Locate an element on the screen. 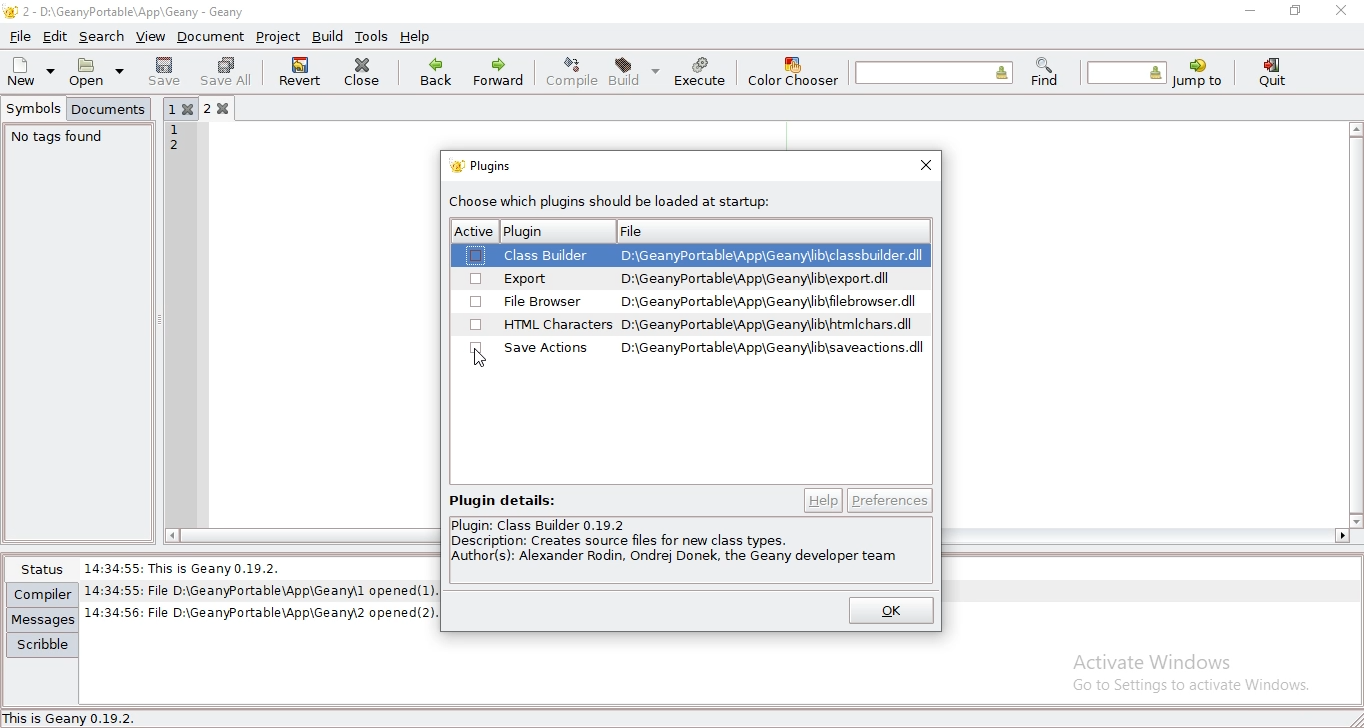  open is located at coordinates (91, 72).